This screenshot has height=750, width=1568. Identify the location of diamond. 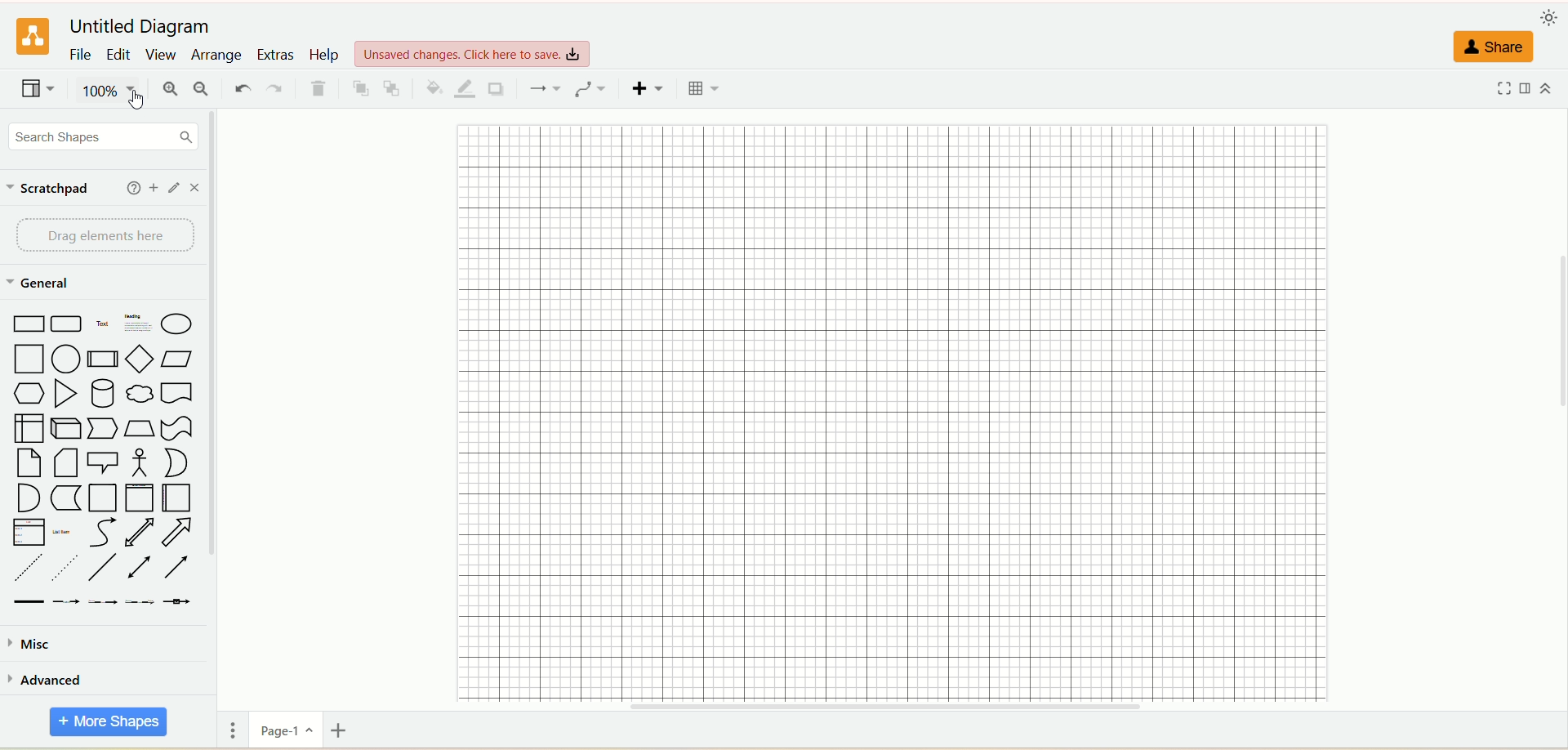
(138, 358).